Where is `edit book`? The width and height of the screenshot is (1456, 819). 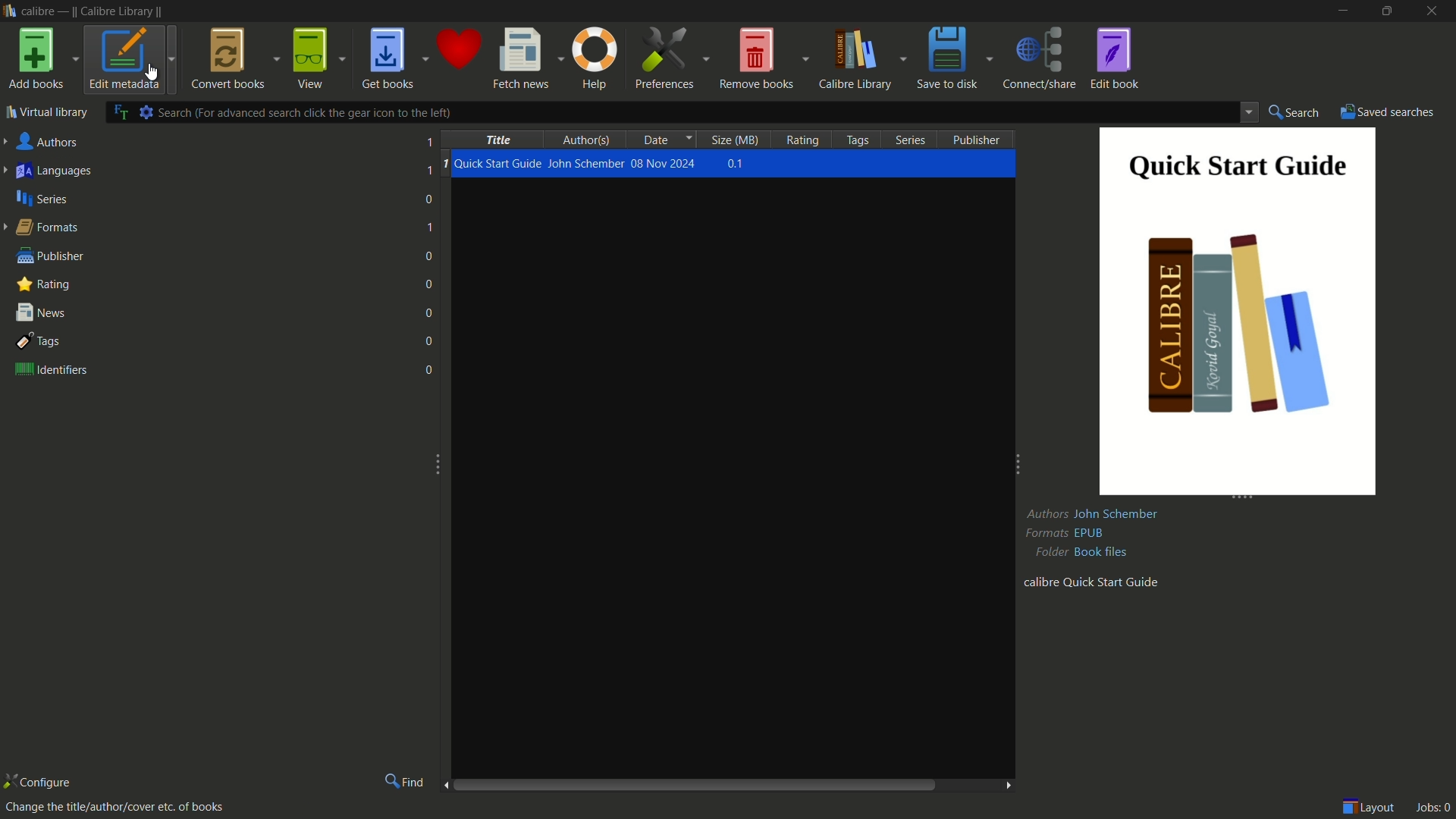 edit book is located at coordinates (1115, 58).